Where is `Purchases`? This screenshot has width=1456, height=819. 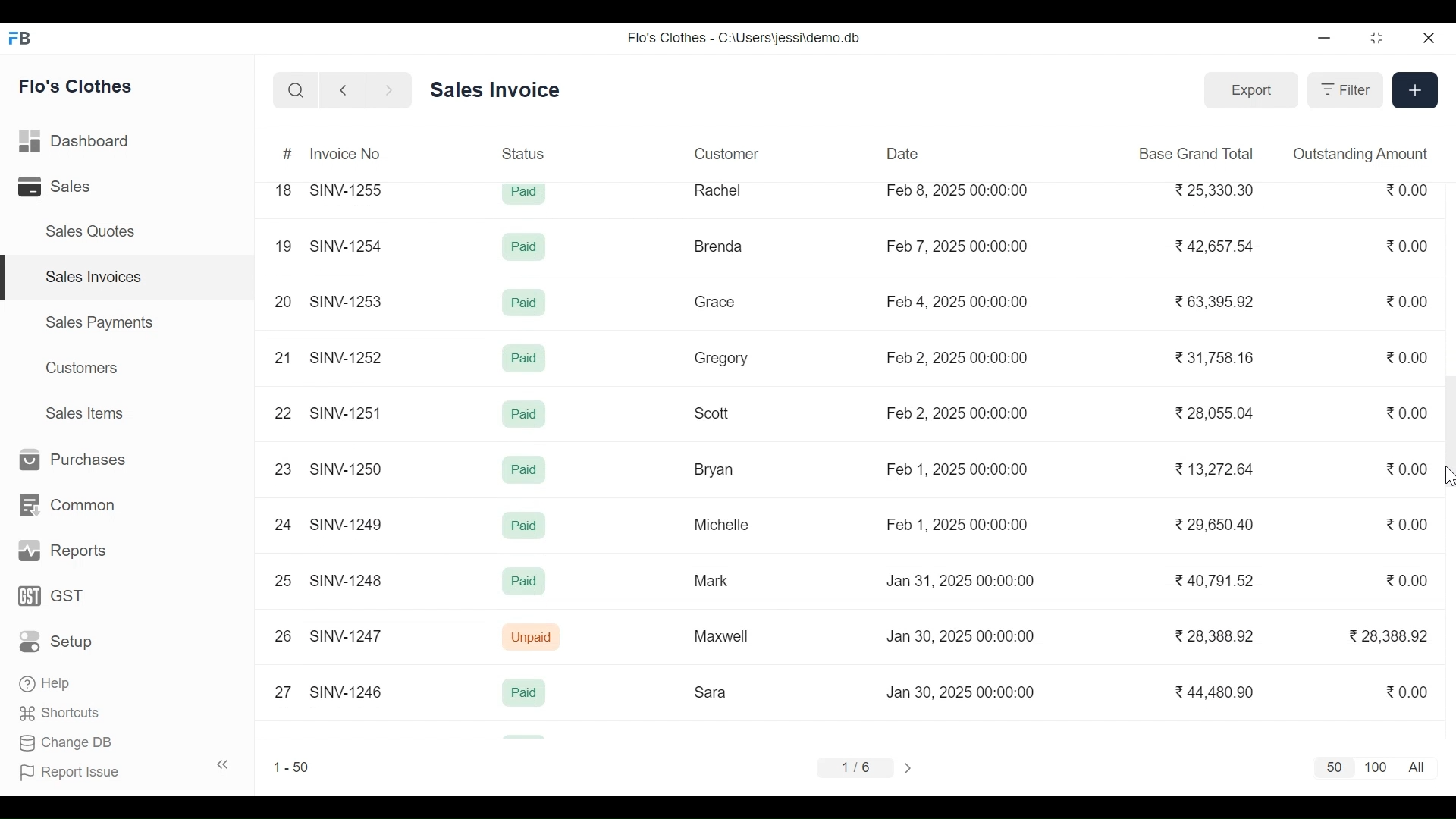
Purchases is located at coordinates (67, 460).